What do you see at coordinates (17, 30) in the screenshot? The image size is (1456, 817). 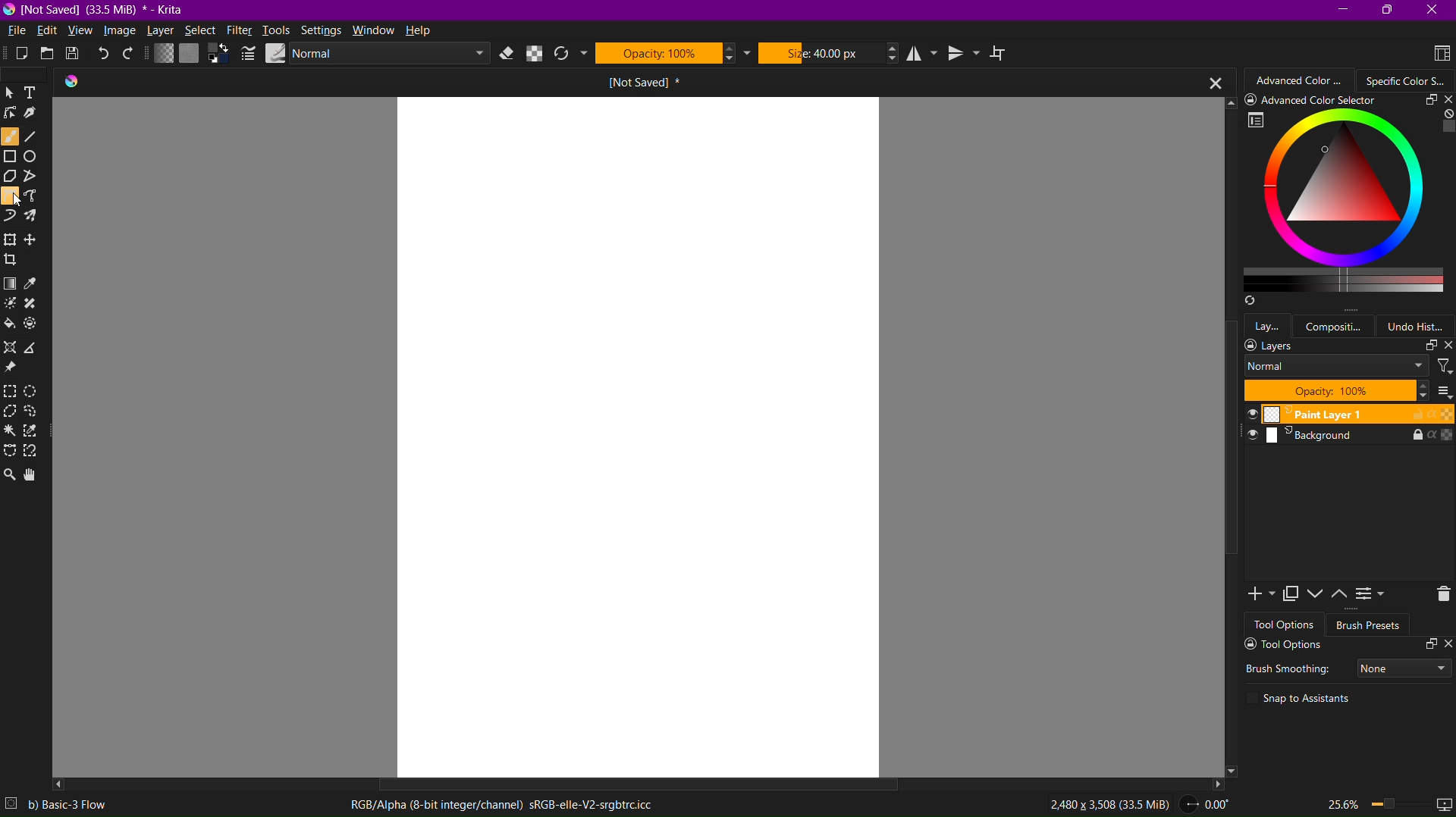 I see `File` at bounding box center [17, 30].